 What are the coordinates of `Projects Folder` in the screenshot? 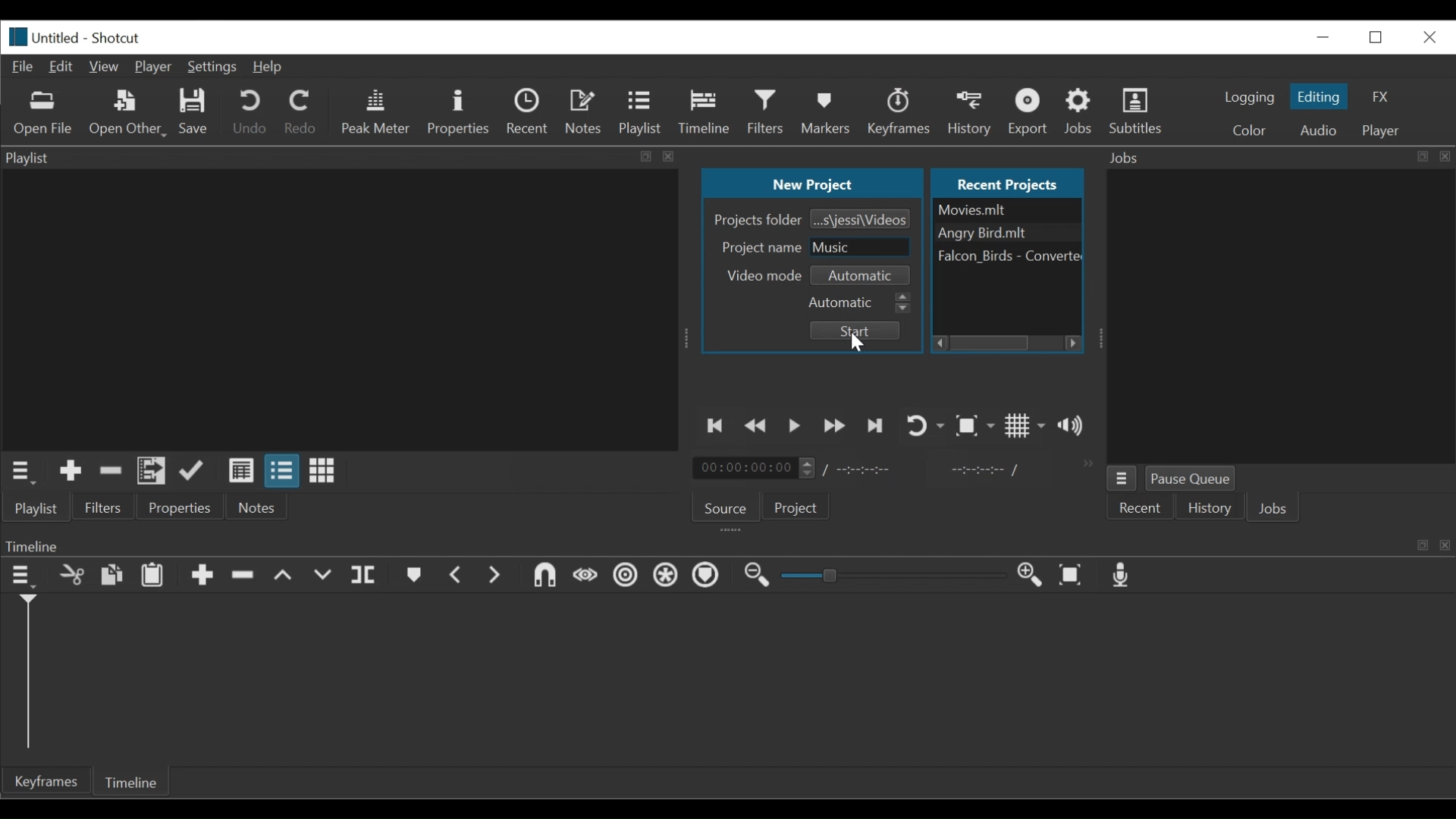 It's located at (758, 221).